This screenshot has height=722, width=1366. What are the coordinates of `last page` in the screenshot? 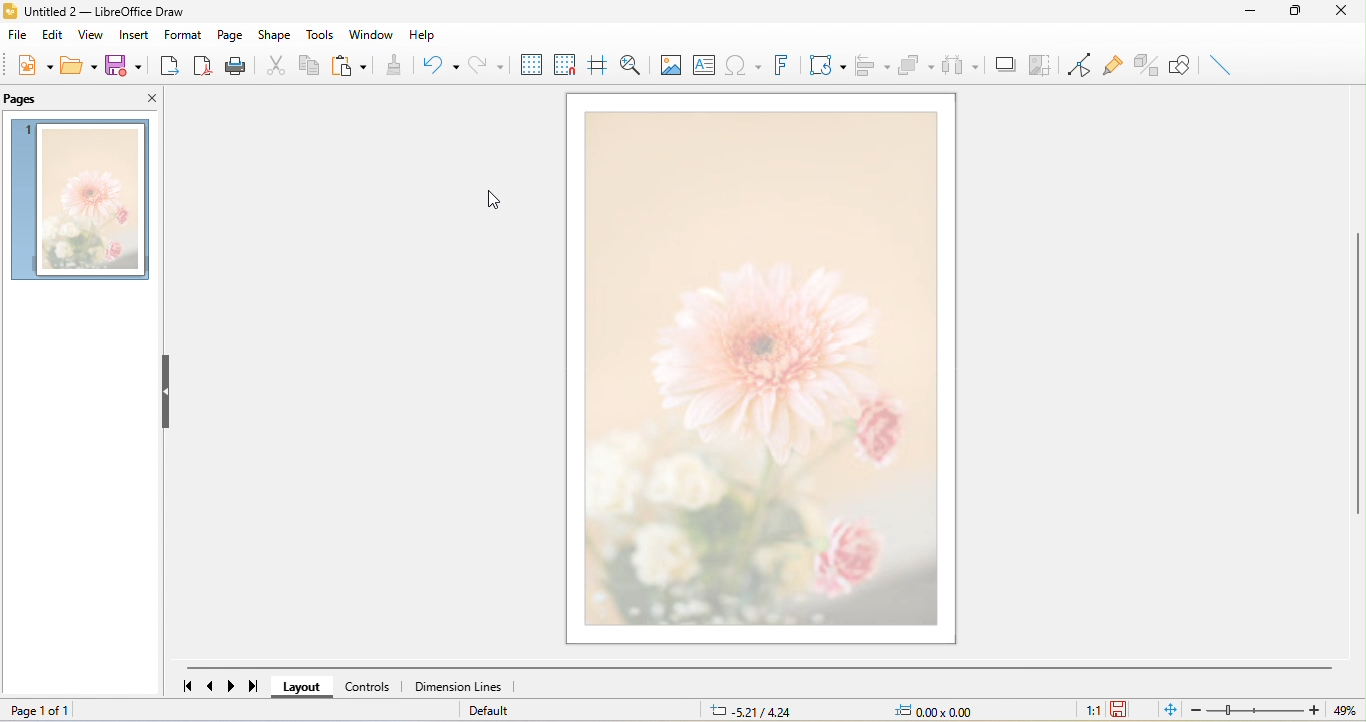 It's located at (249, 686).